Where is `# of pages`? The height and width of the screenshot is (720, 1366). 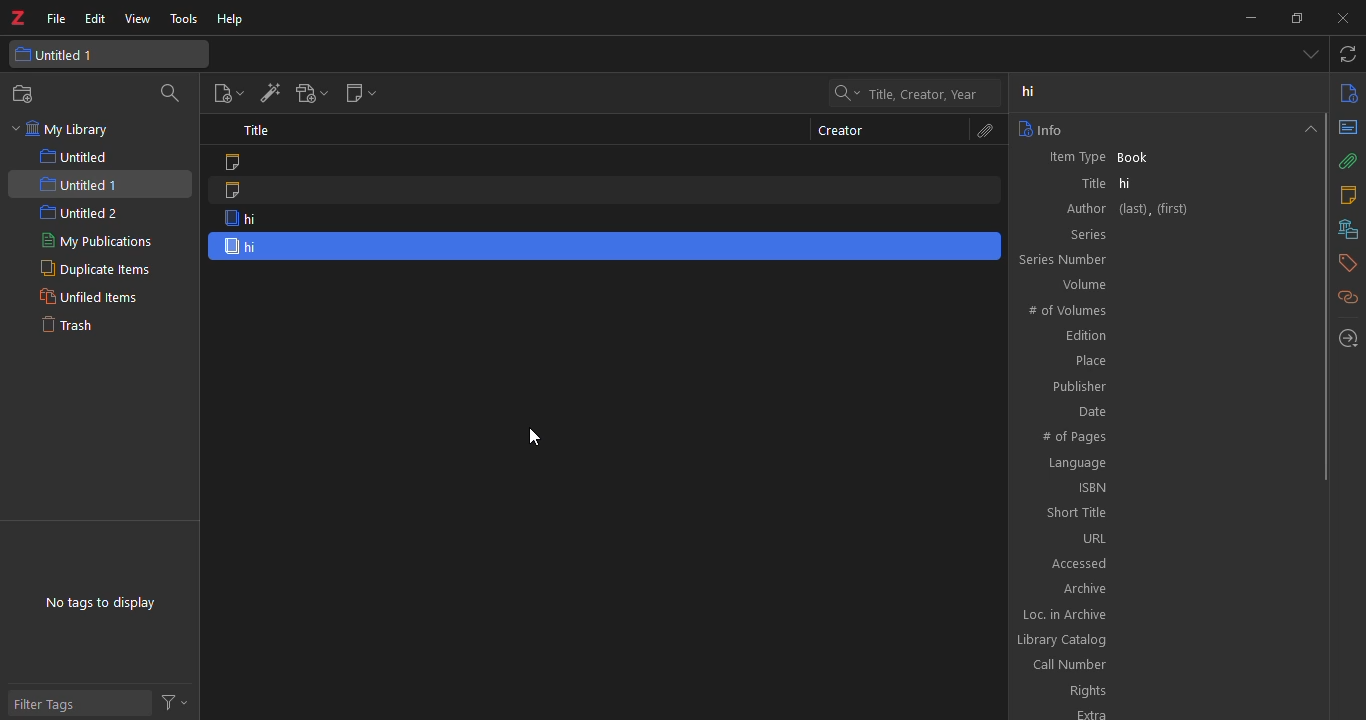 # of pages is located at coordinates (1074, 436).